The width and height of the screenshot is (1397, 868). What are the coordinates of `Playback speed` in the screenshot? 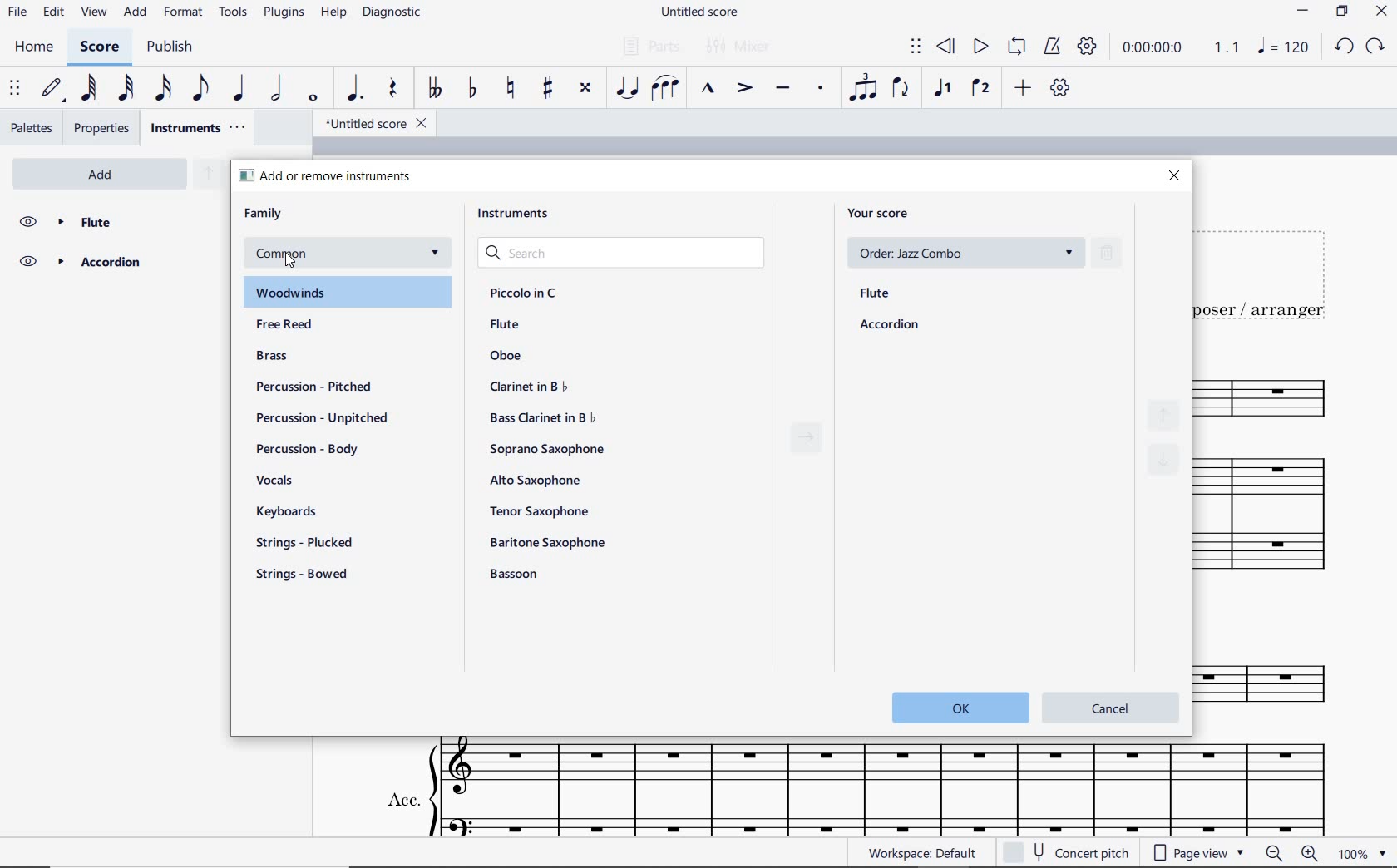 It's located at (1228, 47).